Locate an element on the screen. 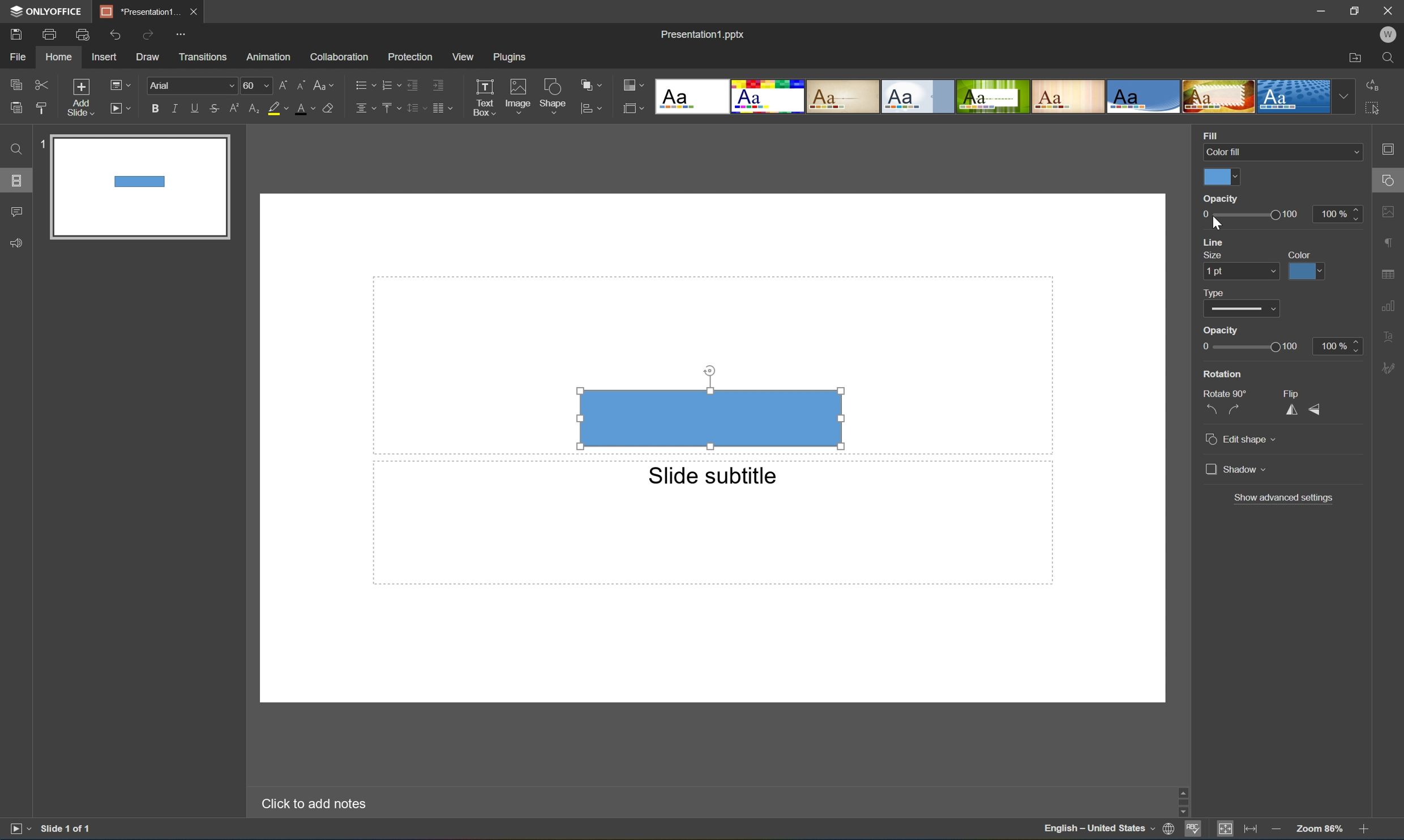 Image resolution: width=1404 pixels, height=840 pixels. image settings is located at coordinates (1390, 211).